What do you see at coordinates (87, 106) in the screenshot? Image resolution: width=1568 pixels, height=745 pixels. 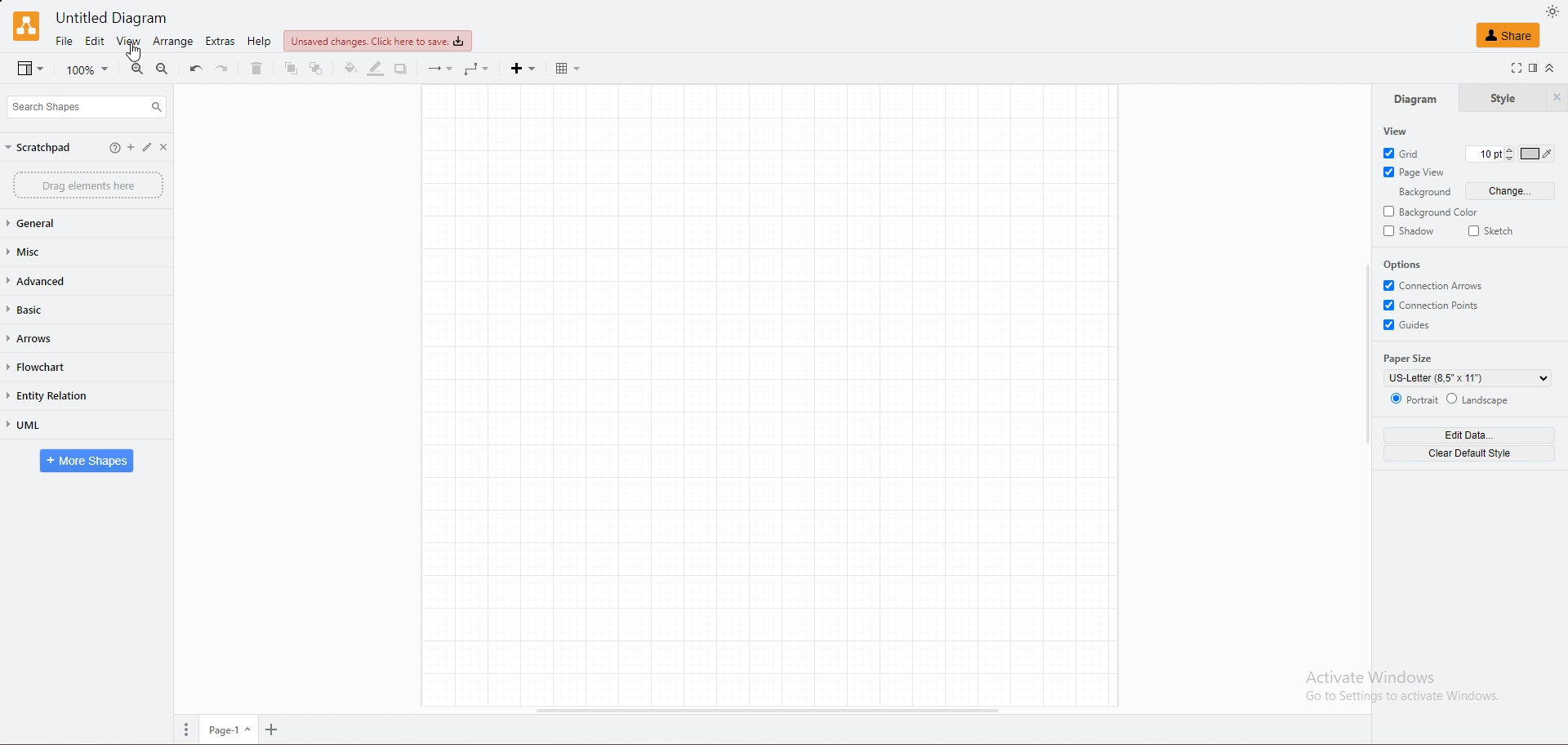 I see `search shapes` at bounding box center [87, 106].